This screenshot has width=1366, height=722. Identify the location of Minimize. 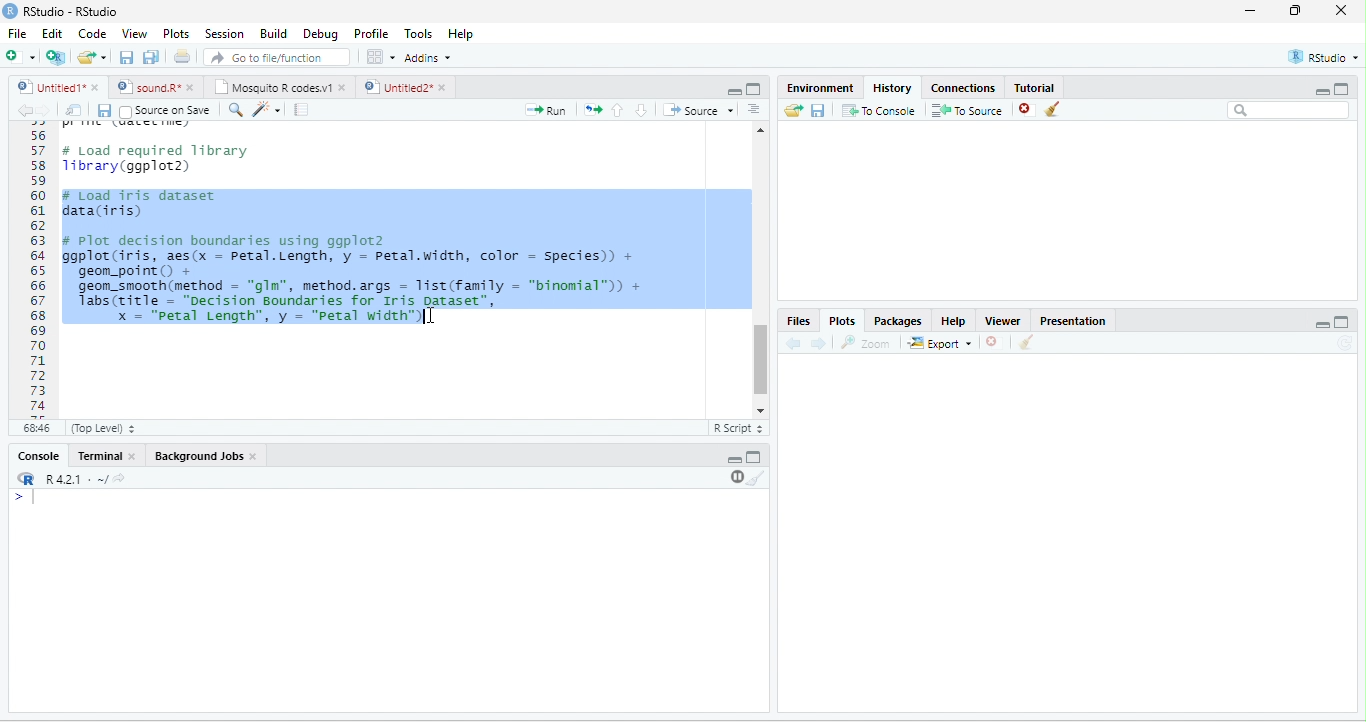
(1322, 326).